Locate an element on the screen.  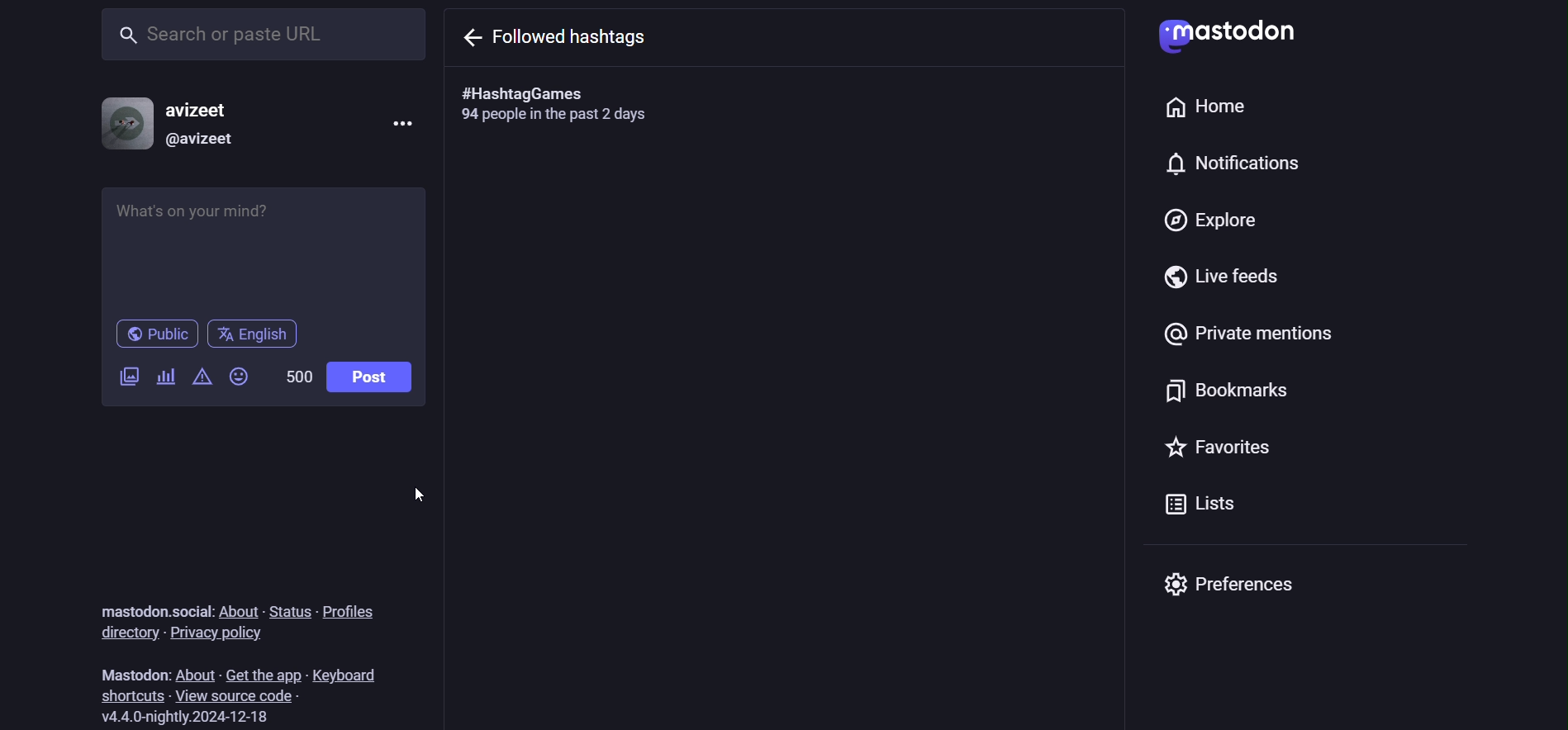
directory is located at coordinates (125, 634).